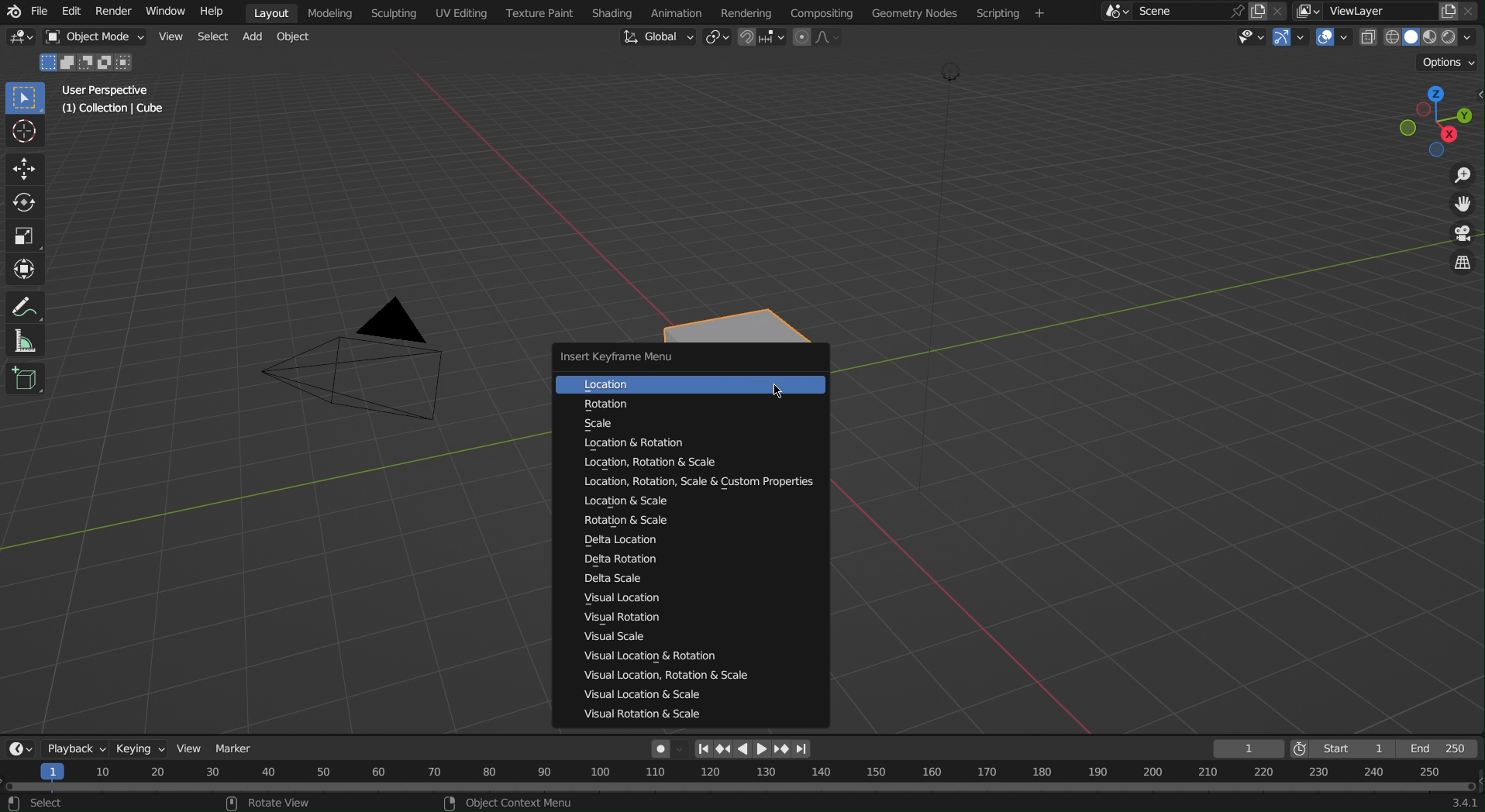 The width and height of the screenshot is (1485, 812). Describe the element at coordinates (27, 303) in the screenshot. I see `Annotate` at that location.